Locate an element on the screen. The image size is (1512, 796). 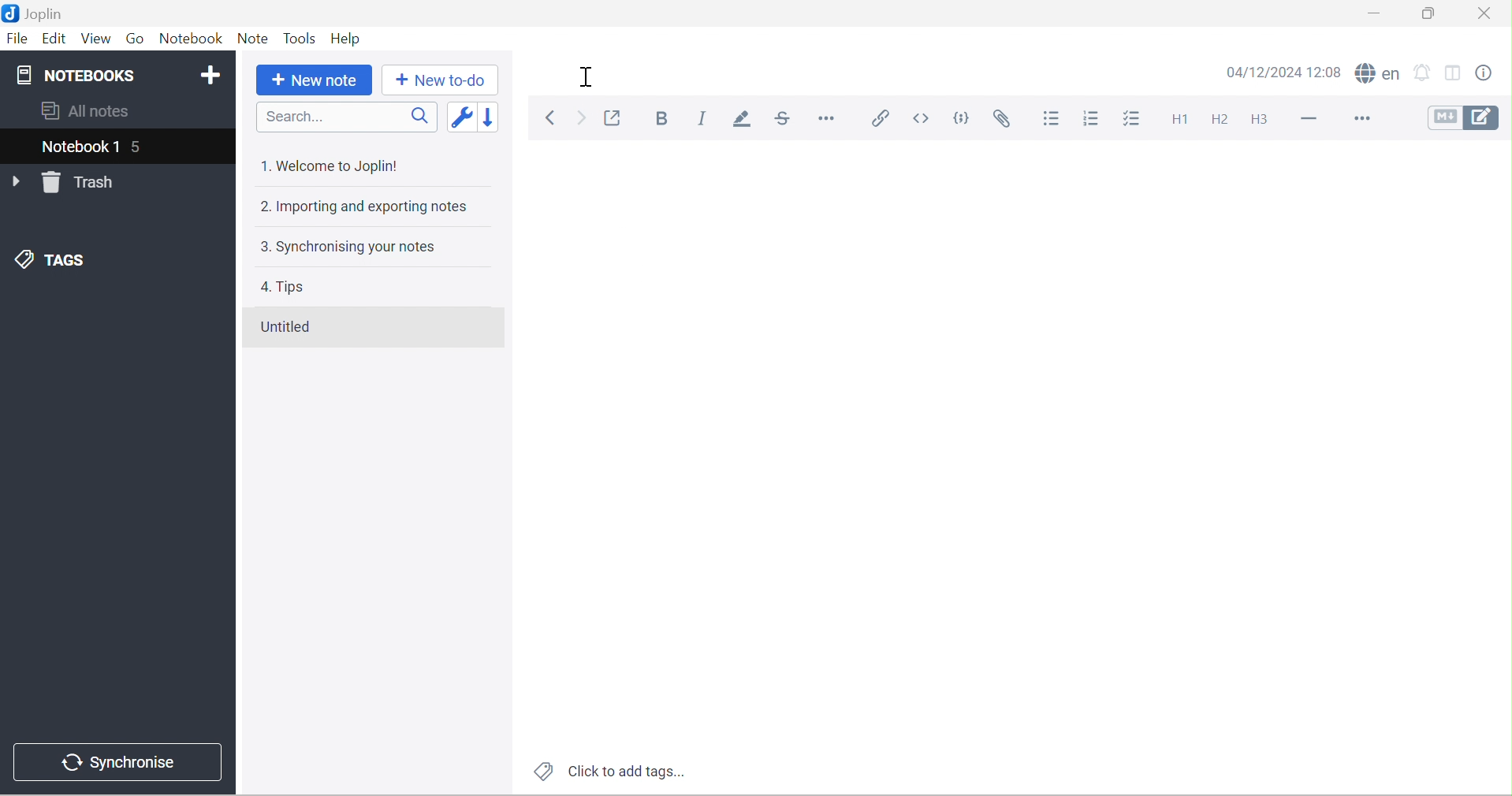
Heading 1 is located at coordinates (1178, 122).